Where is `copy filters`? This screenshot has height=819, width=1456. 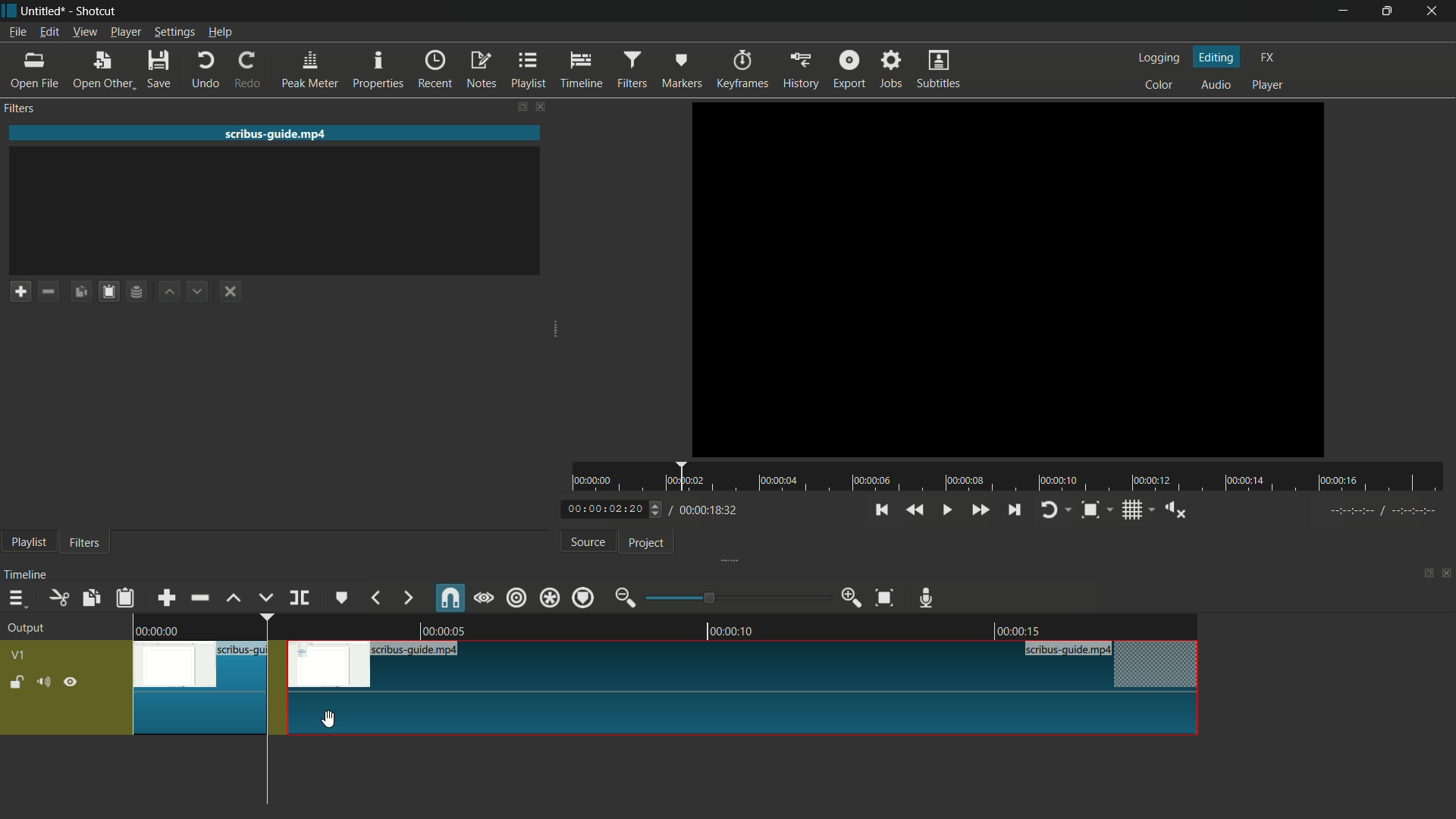
copy filters is located at coordinates (81, 292).